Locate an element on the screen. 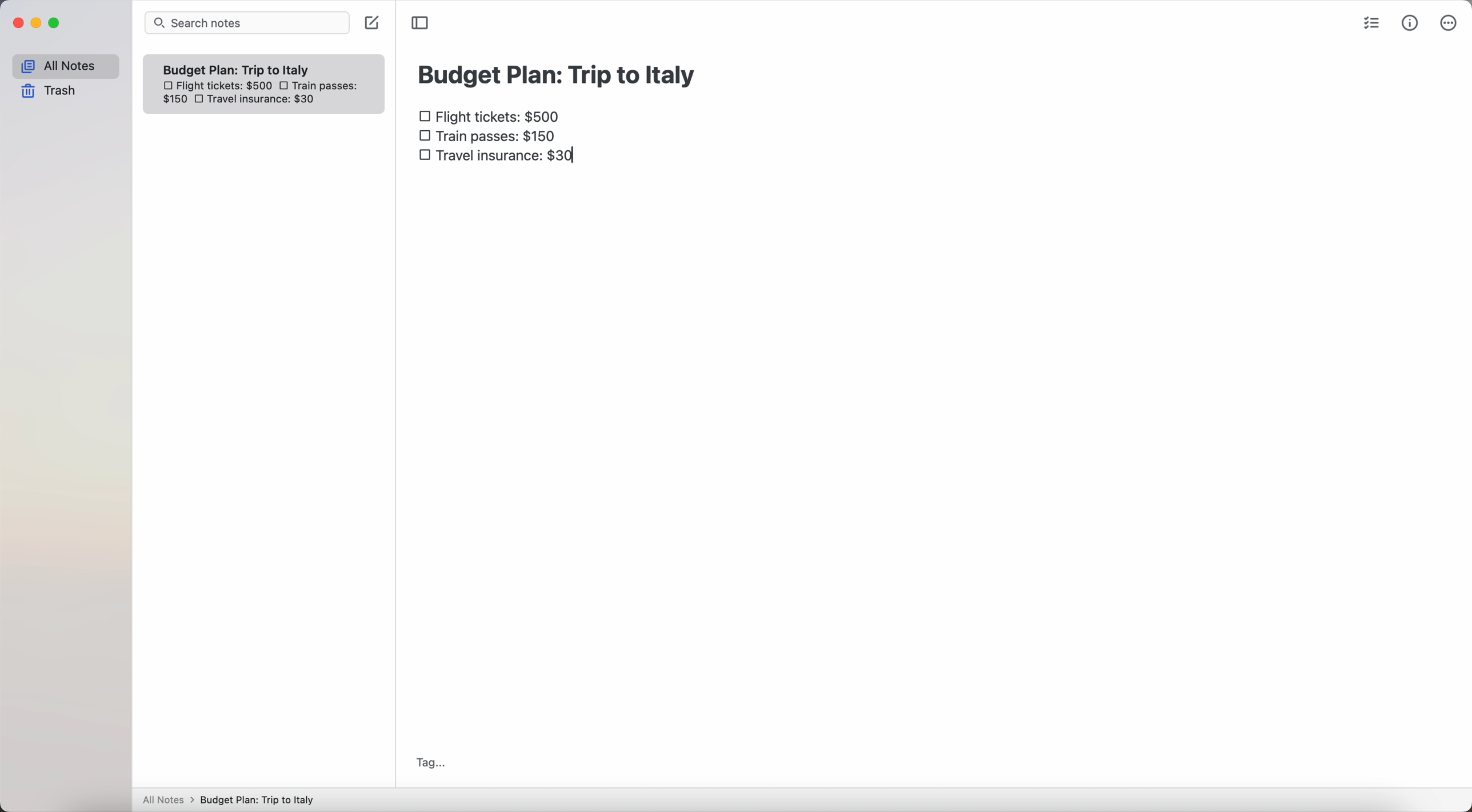  tag is located at coordinates (431, 763).